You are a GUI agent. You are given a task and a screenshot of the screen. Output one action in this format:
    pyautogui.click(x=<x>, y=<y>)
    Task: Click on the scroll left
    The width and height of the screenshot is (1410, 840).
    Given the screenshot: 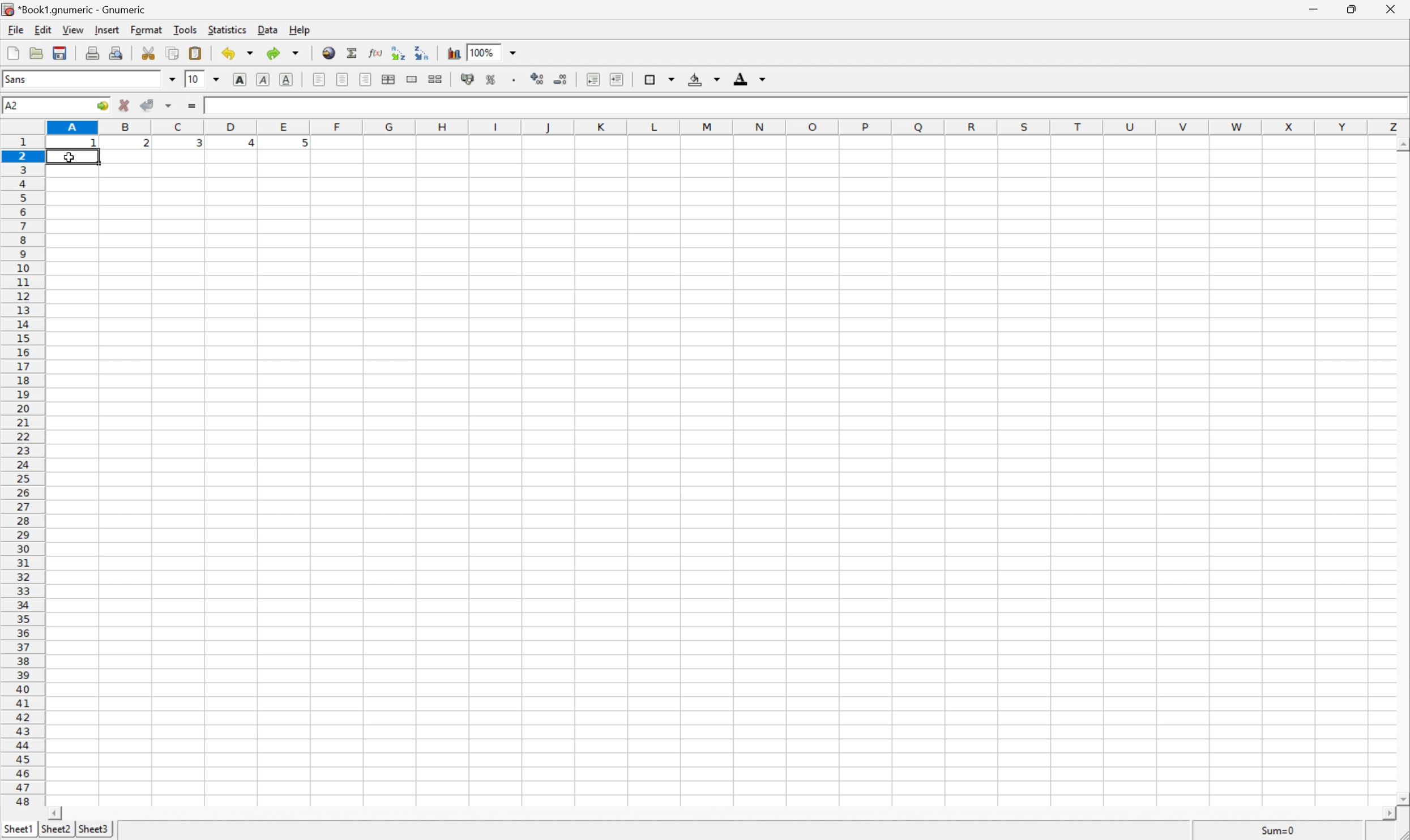 What is the action you would take?
    pyautogui.click(x=58, y=813)
    